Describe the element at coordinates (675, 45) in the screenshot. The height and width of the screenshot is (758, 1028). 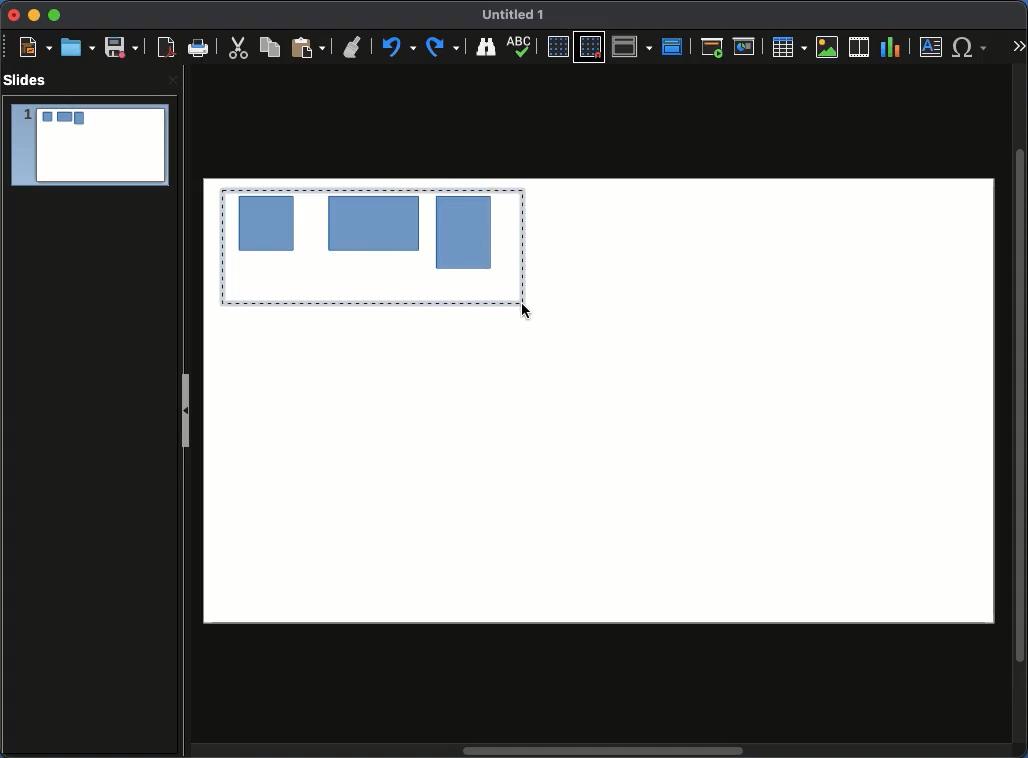
I see `Master slide` at that location.